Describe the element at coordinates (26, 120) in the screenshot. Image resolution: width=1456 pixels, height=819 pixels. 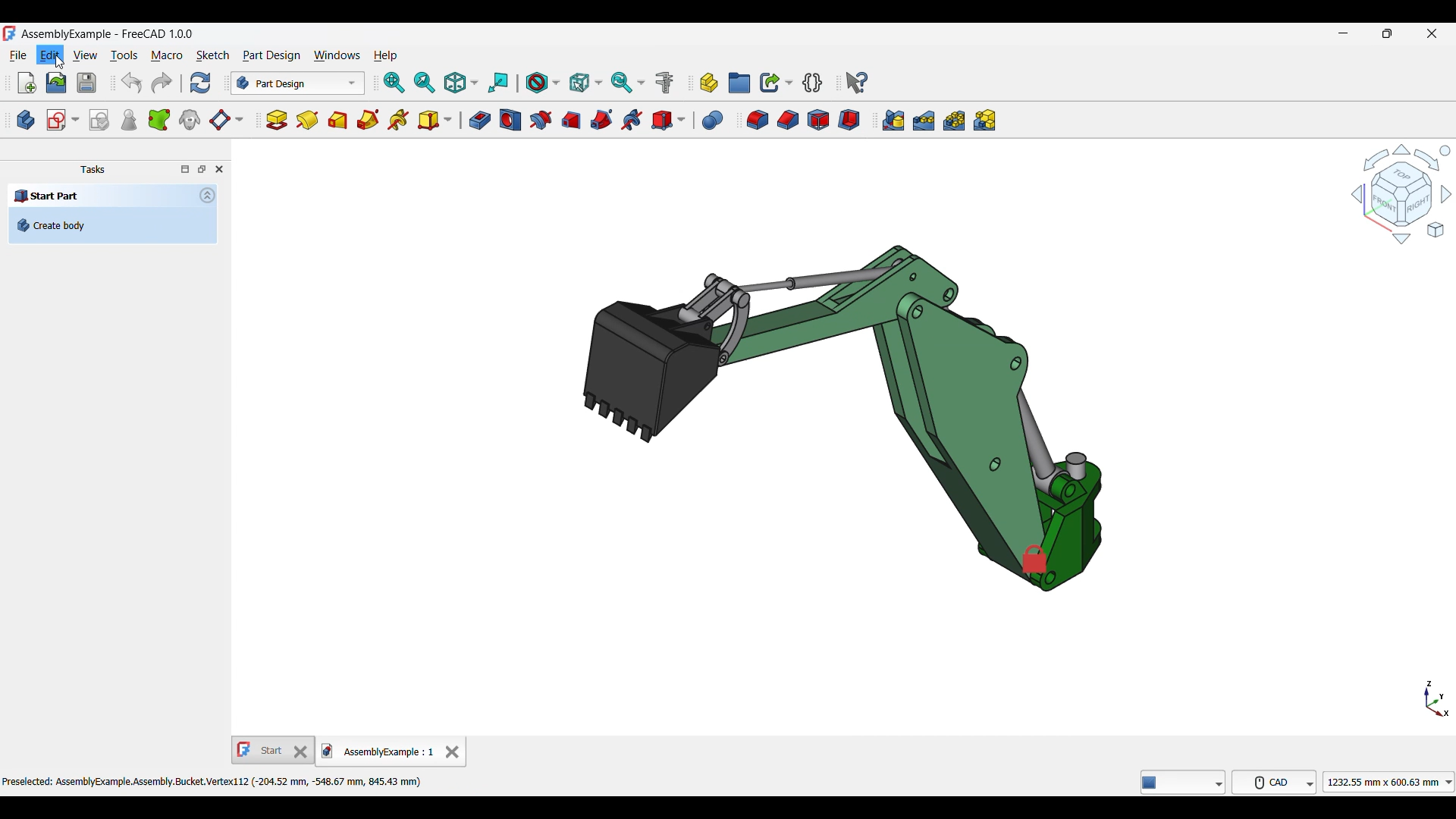
I see `Create body` at that location.